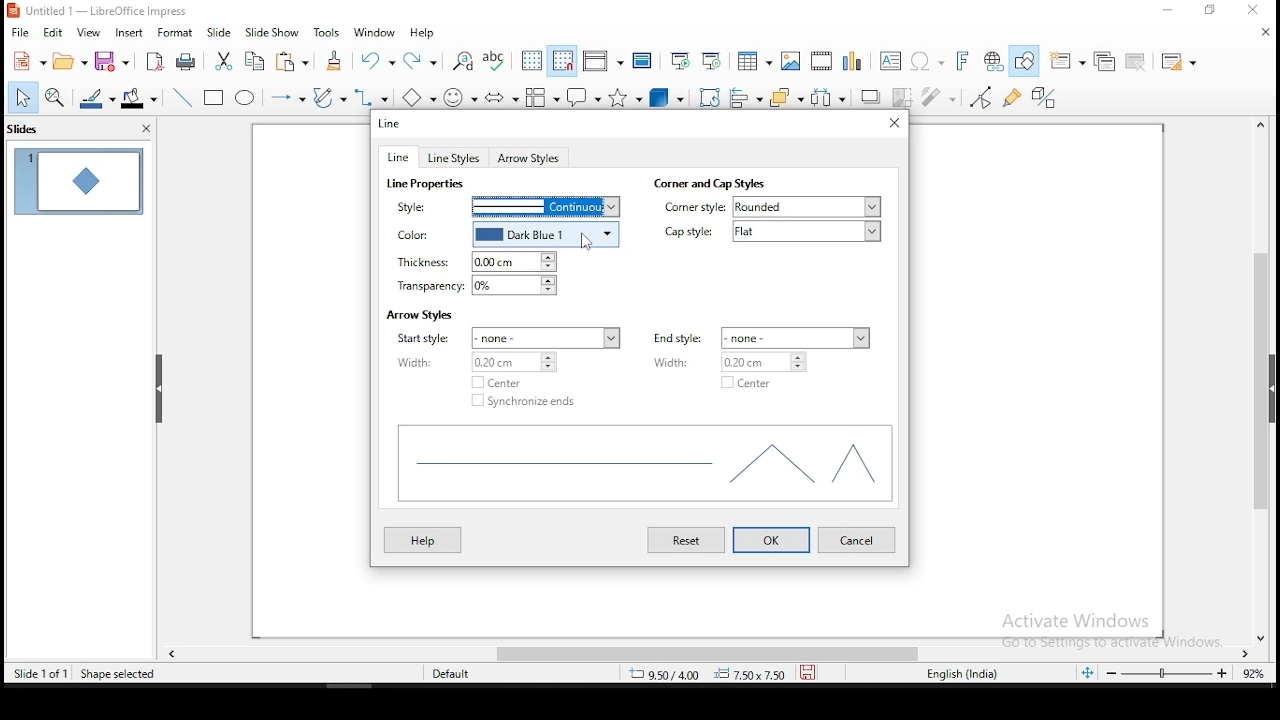 The width and height of the screenshot is (1280, 720). Describe the element at coordinates (965, 61) in the screenshot. I see `` at that location.